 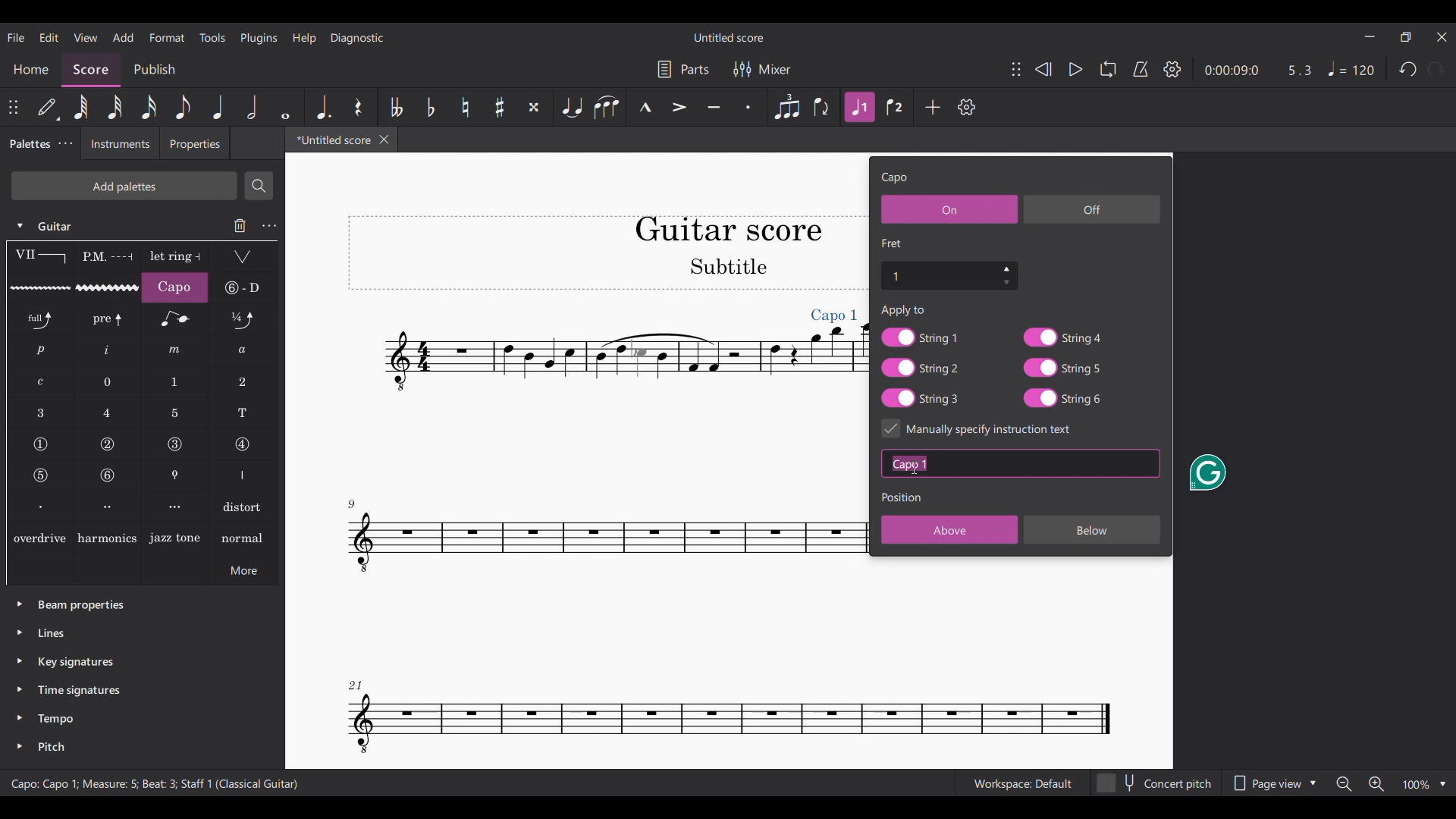 What do you see at coordinates (176, 475) in the screenshot?
I see `Thumb position` at bounding box center [176, 475].